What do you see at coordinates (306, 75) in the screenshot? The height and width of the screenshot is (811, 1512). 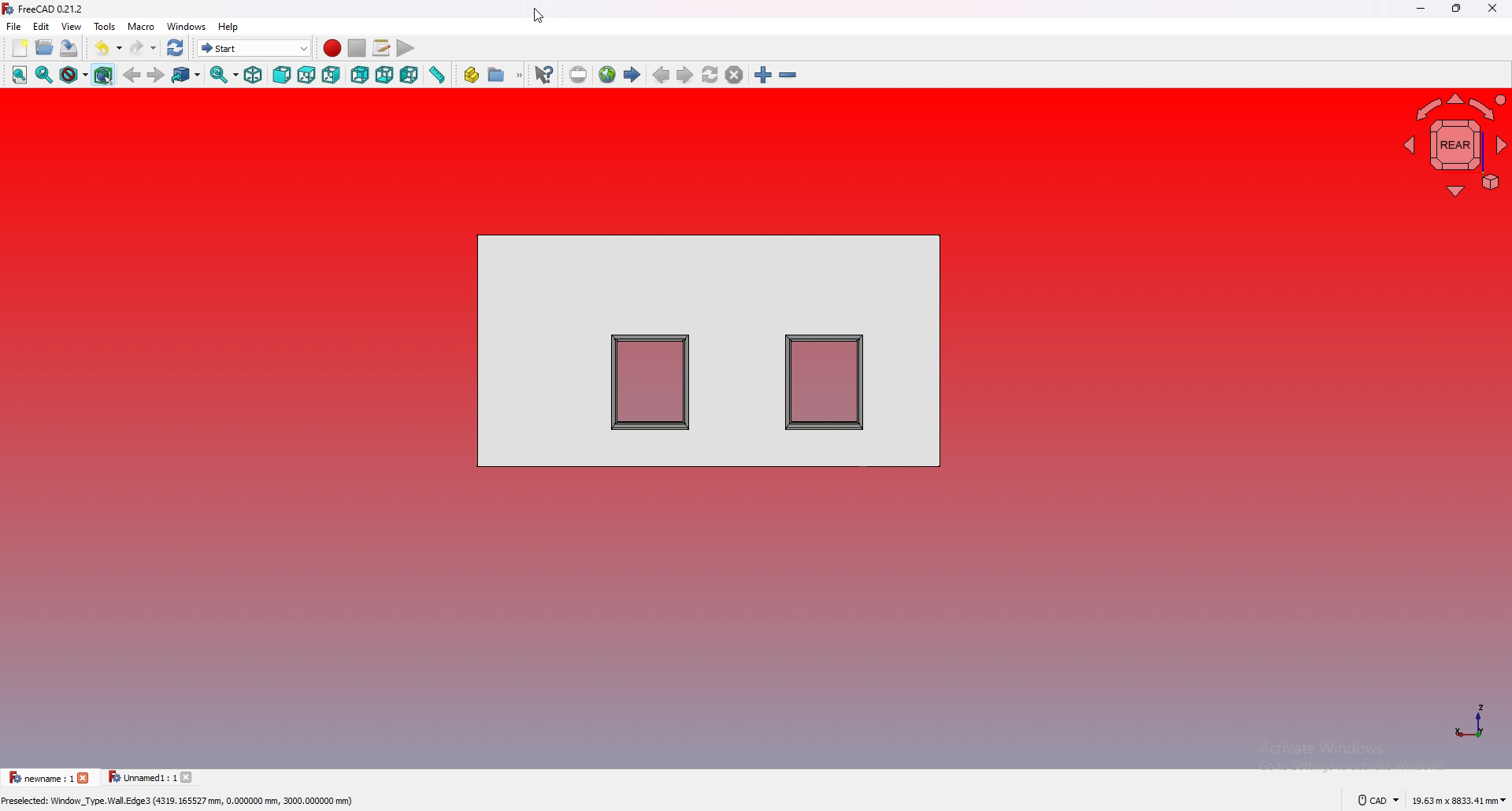 I see `top` at bounding box center [306, 75].